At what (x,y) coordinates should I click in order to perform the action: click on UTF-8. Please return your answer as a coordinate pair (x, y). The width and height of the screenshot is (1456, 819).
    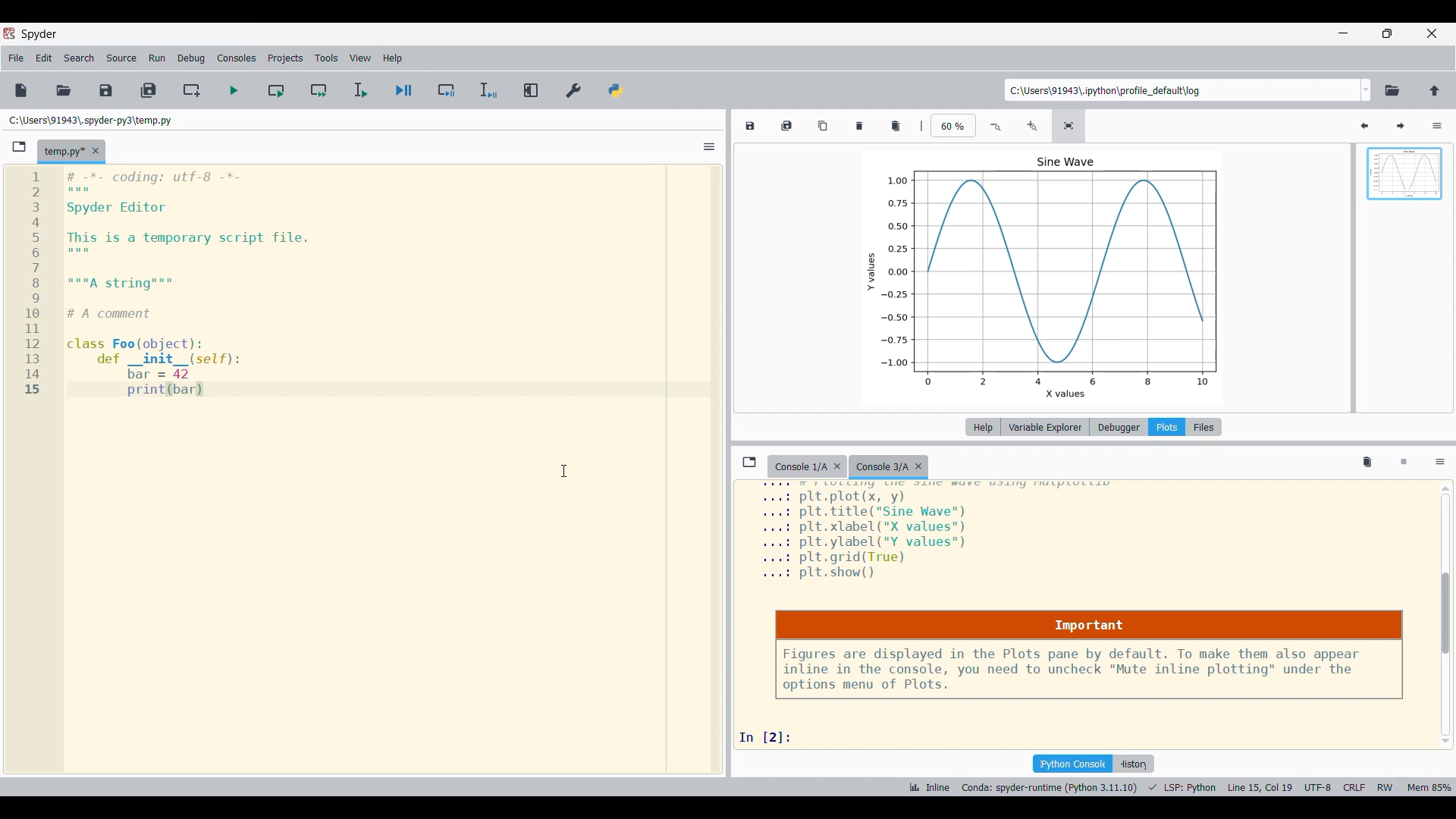
    Looking at the image, I should click on (1318, 786).